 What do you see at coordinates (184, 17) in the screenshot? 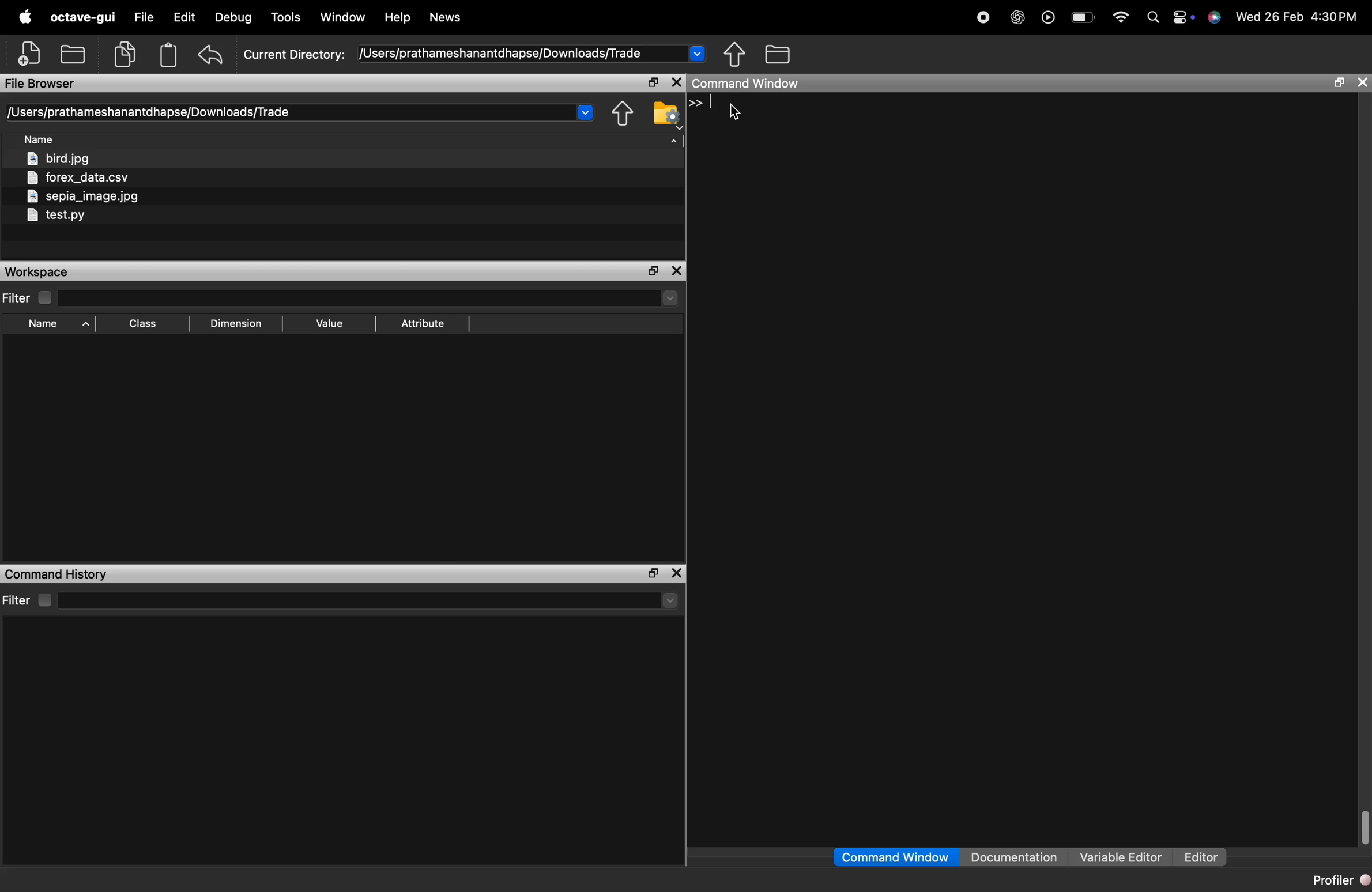
I see `edit` at bounding box center [184, 17].